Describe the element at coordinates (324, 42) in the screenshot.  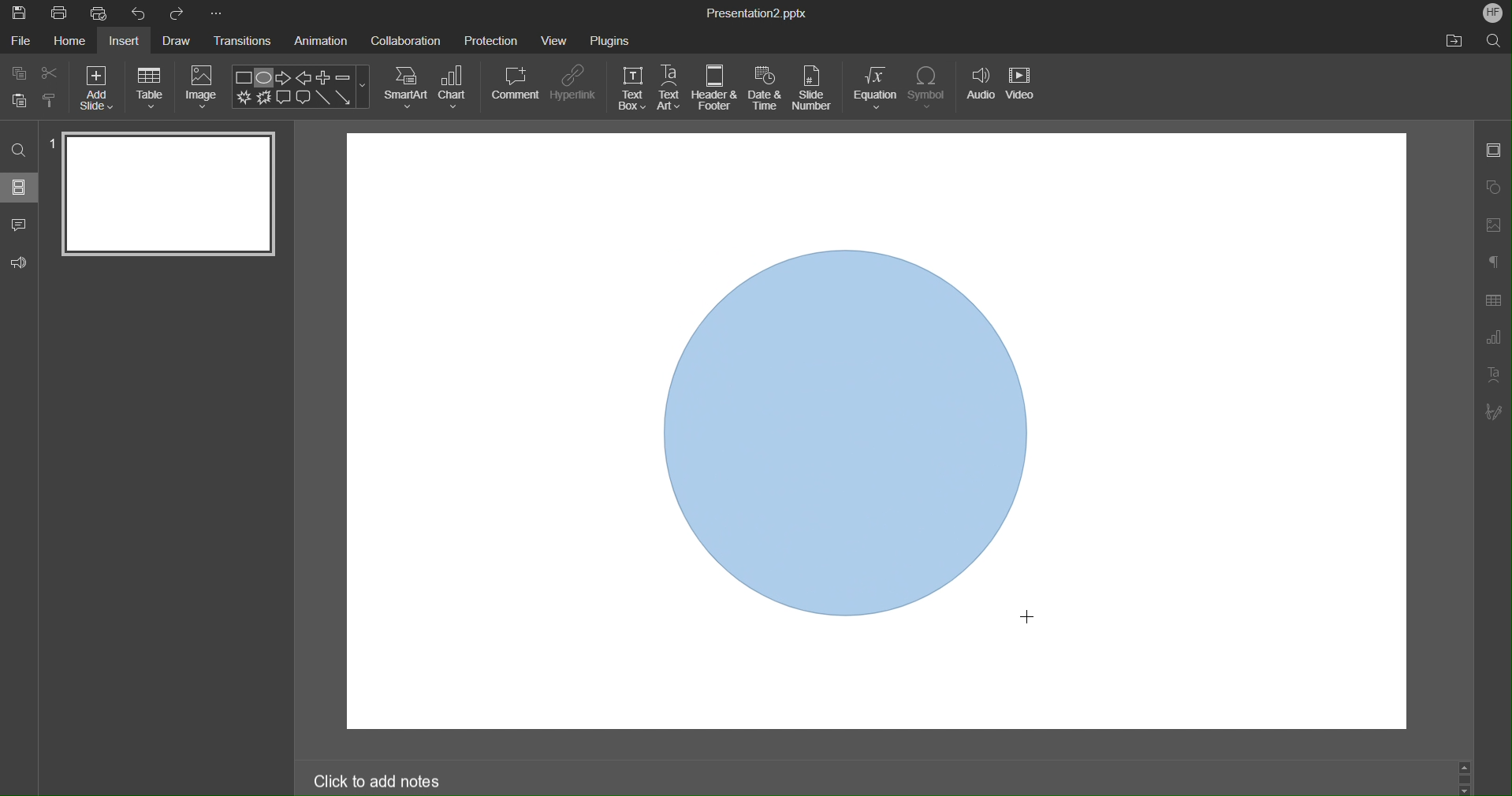
I see `Animation` at that location.